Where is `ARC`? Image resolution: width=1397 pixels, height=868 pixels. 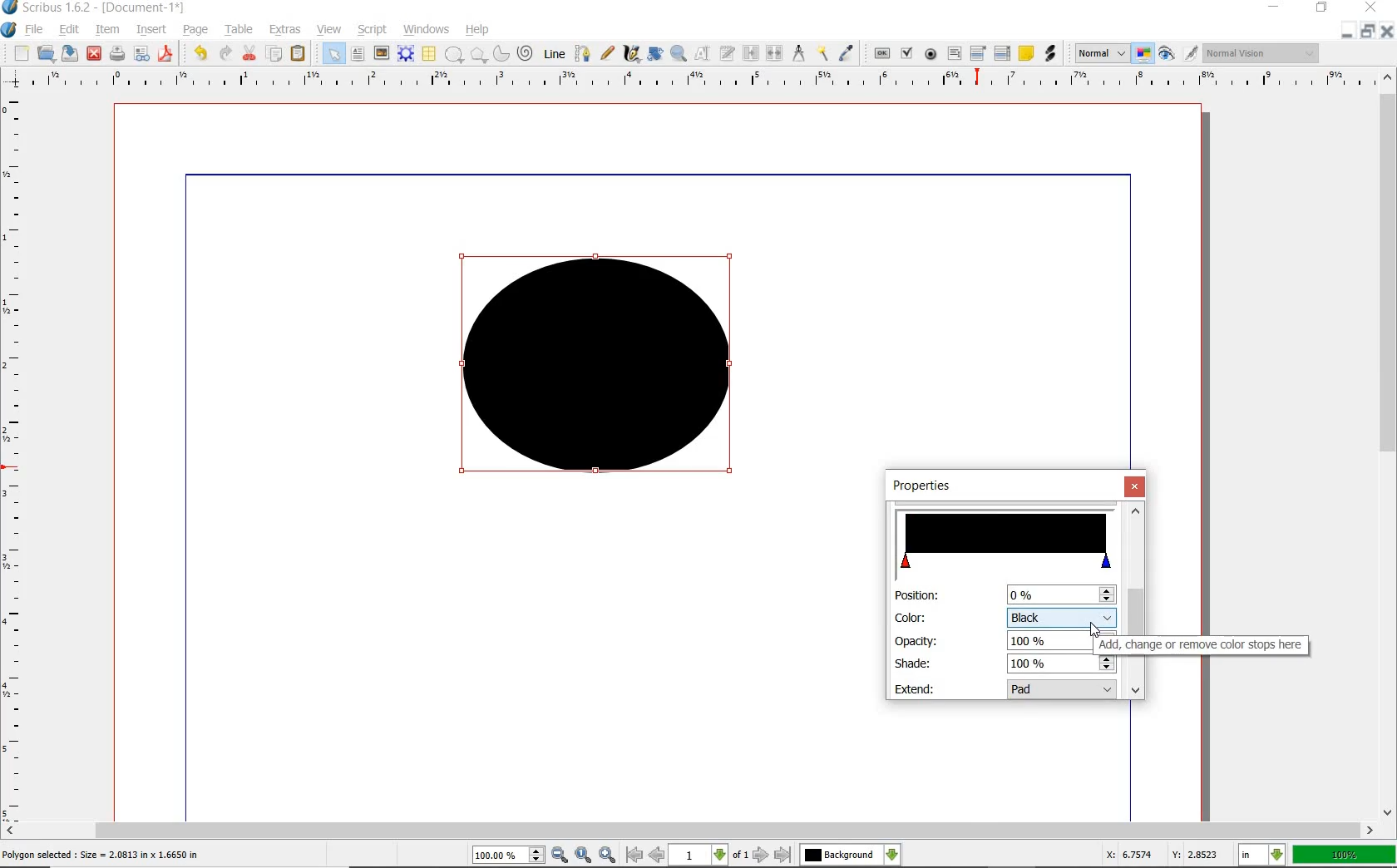 ARC is located at coordinates (500, 55).